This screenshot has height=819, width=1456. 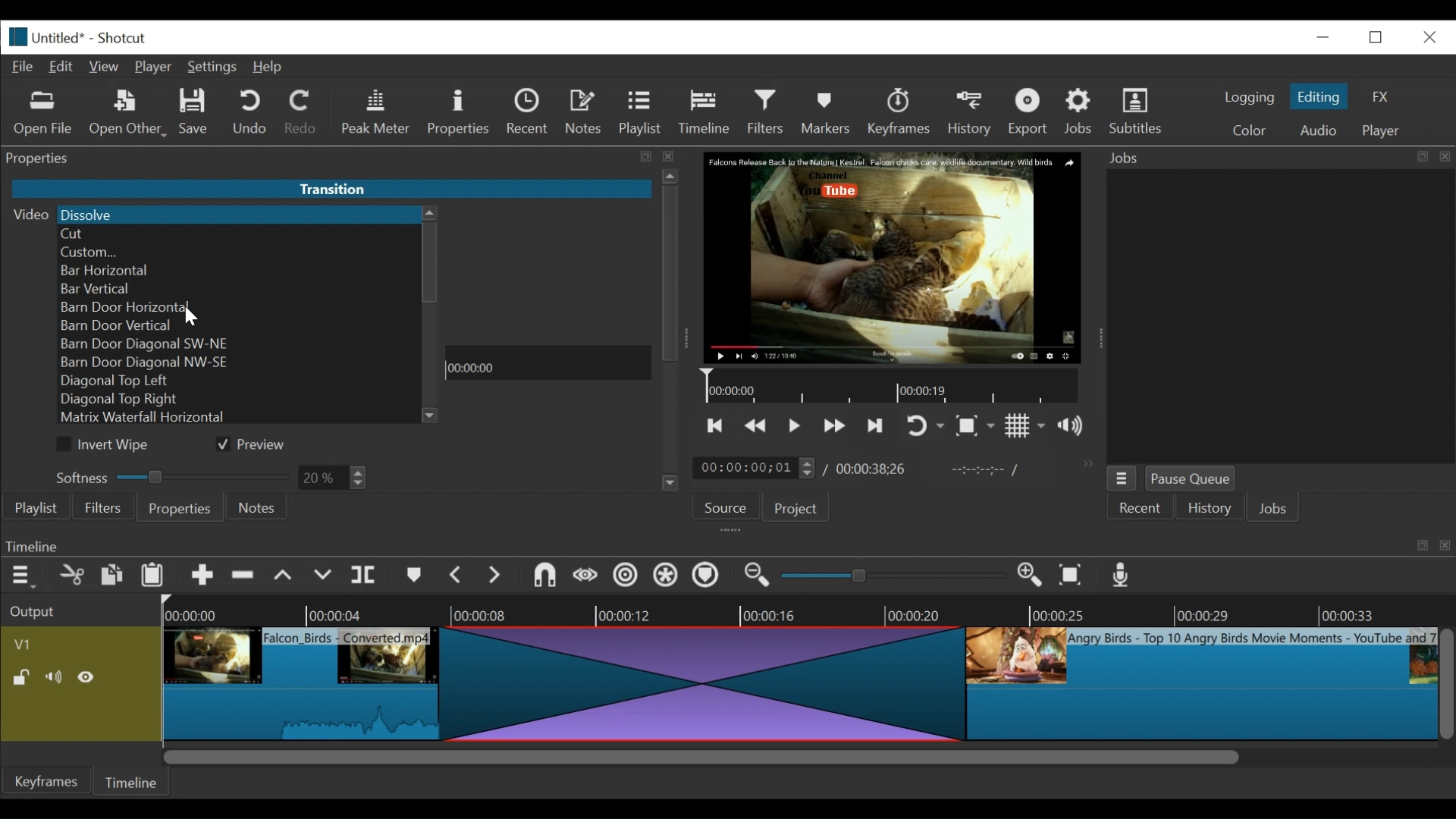 I want to click on play quickly backward, so click(x=756, y=426).